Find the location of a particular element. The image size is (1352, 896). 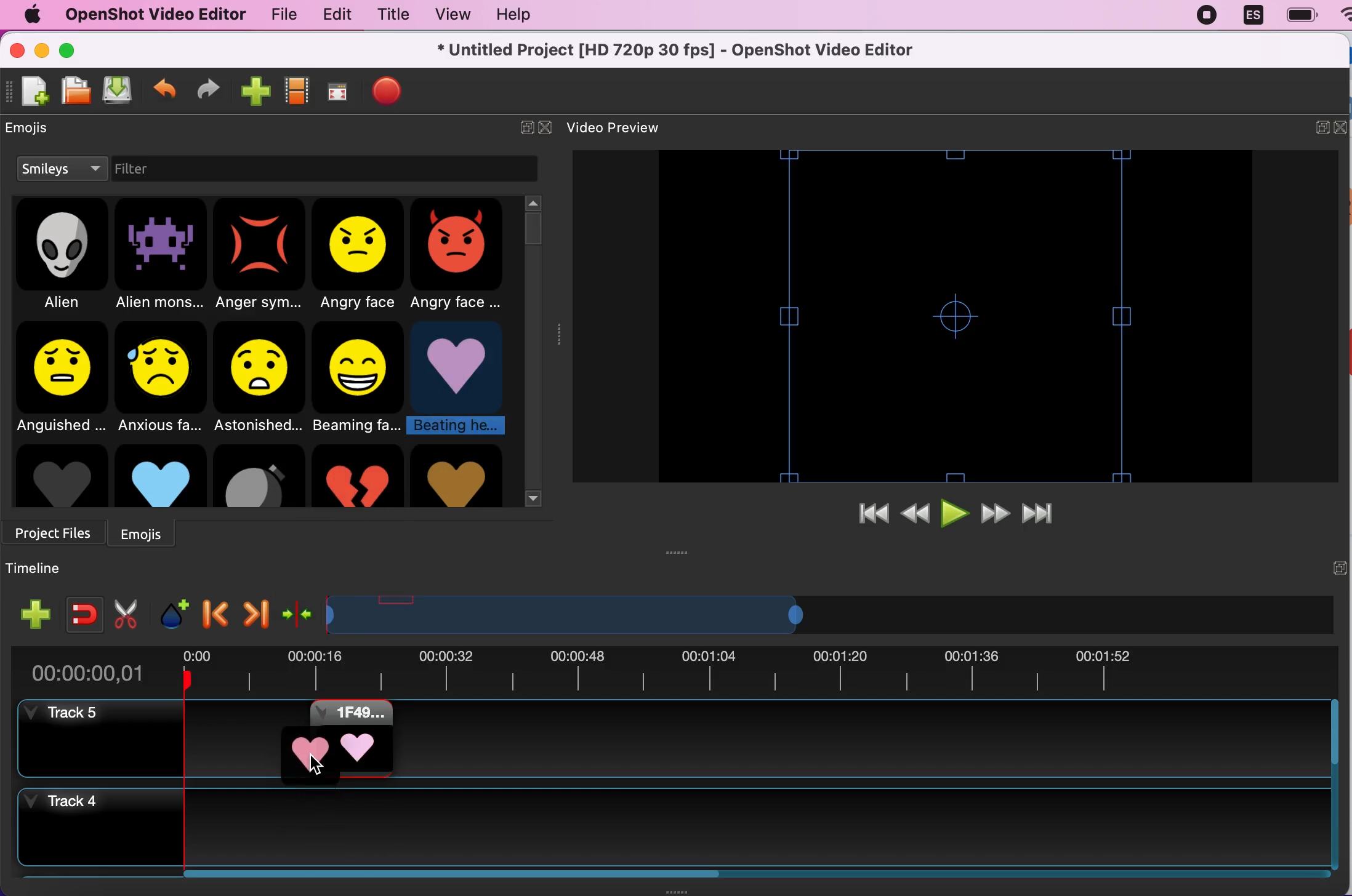

minimize is located at coordinates (43, 52).